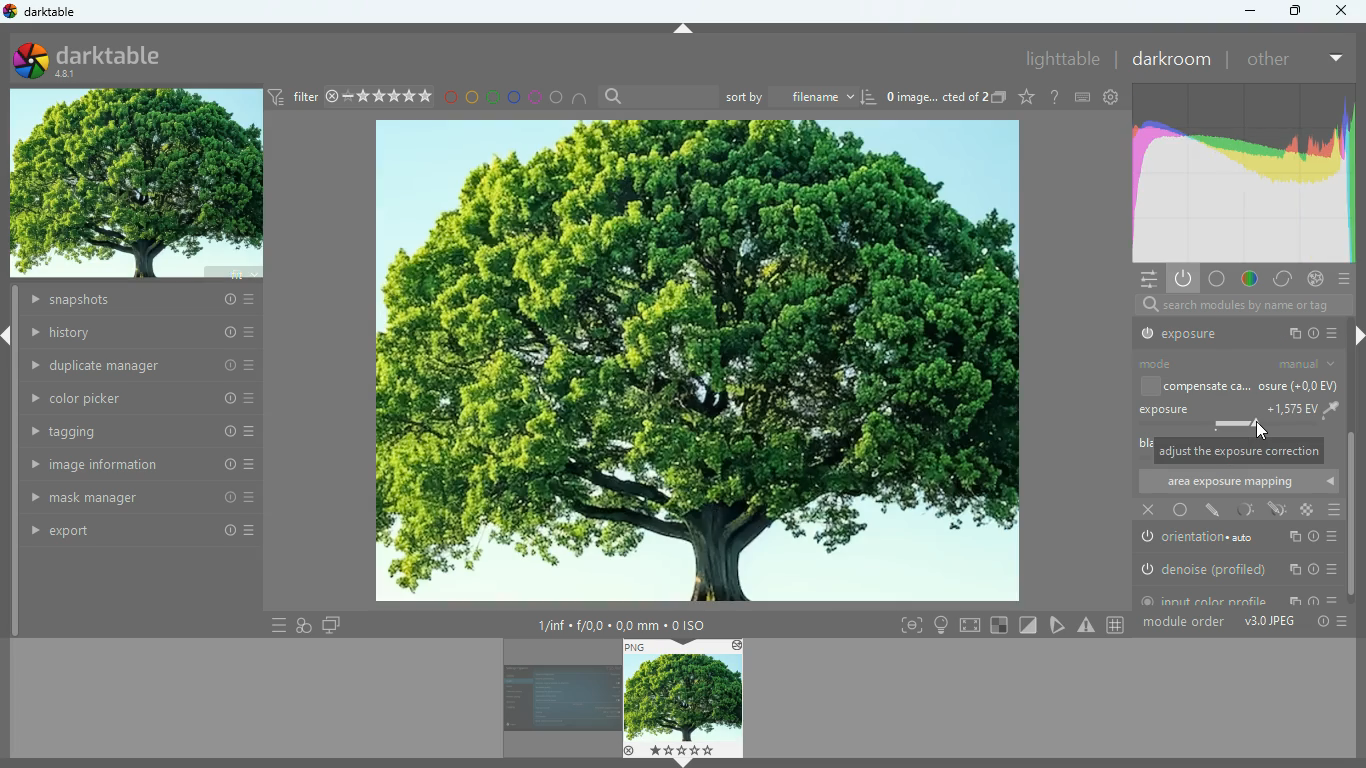  Describe the element at coordinates (513, 98) in the screenshot. I see `blue` at that location.